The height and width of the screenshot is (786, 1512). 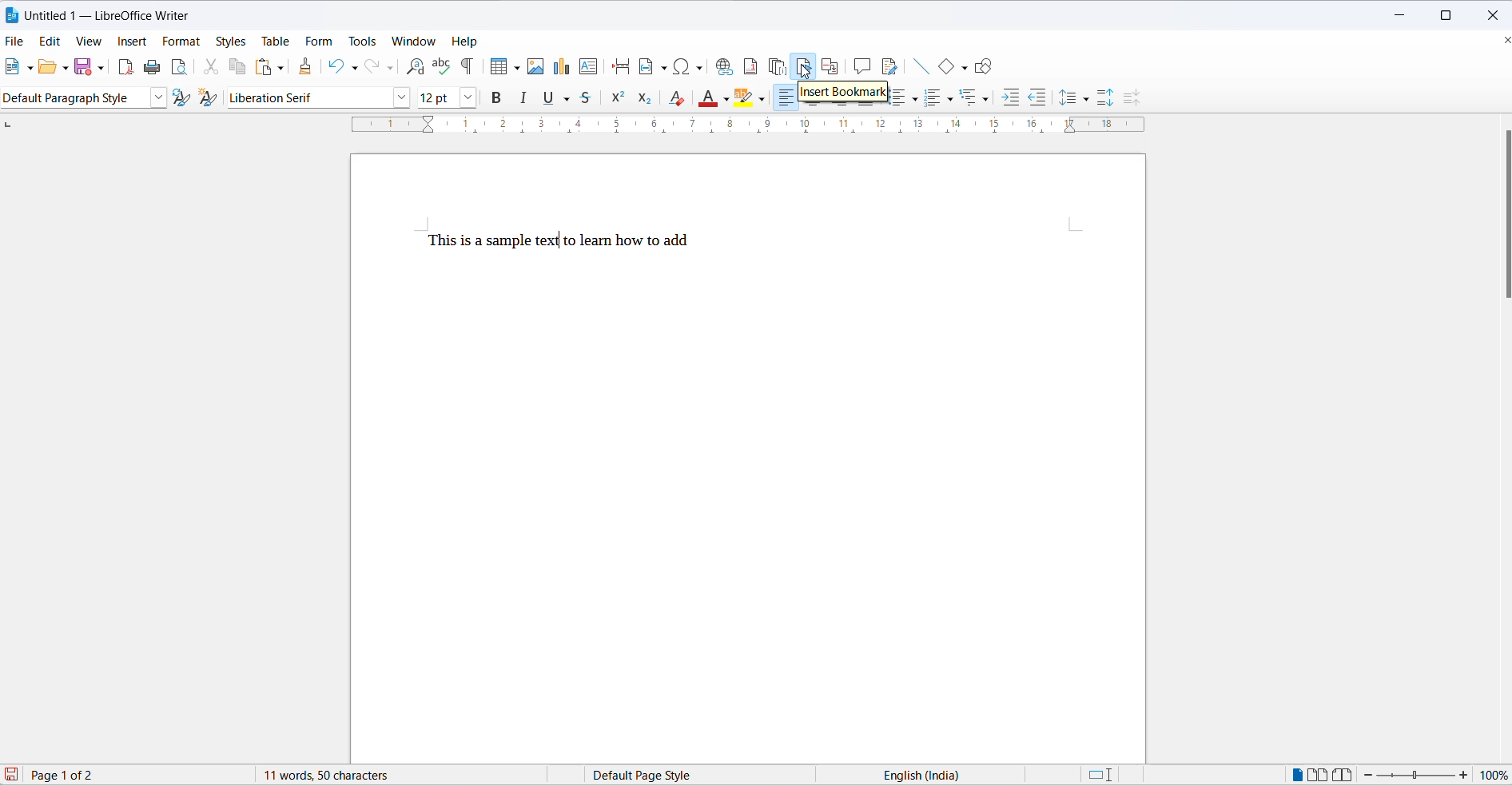 I want to click on font name options, so click(x=401, y=99).